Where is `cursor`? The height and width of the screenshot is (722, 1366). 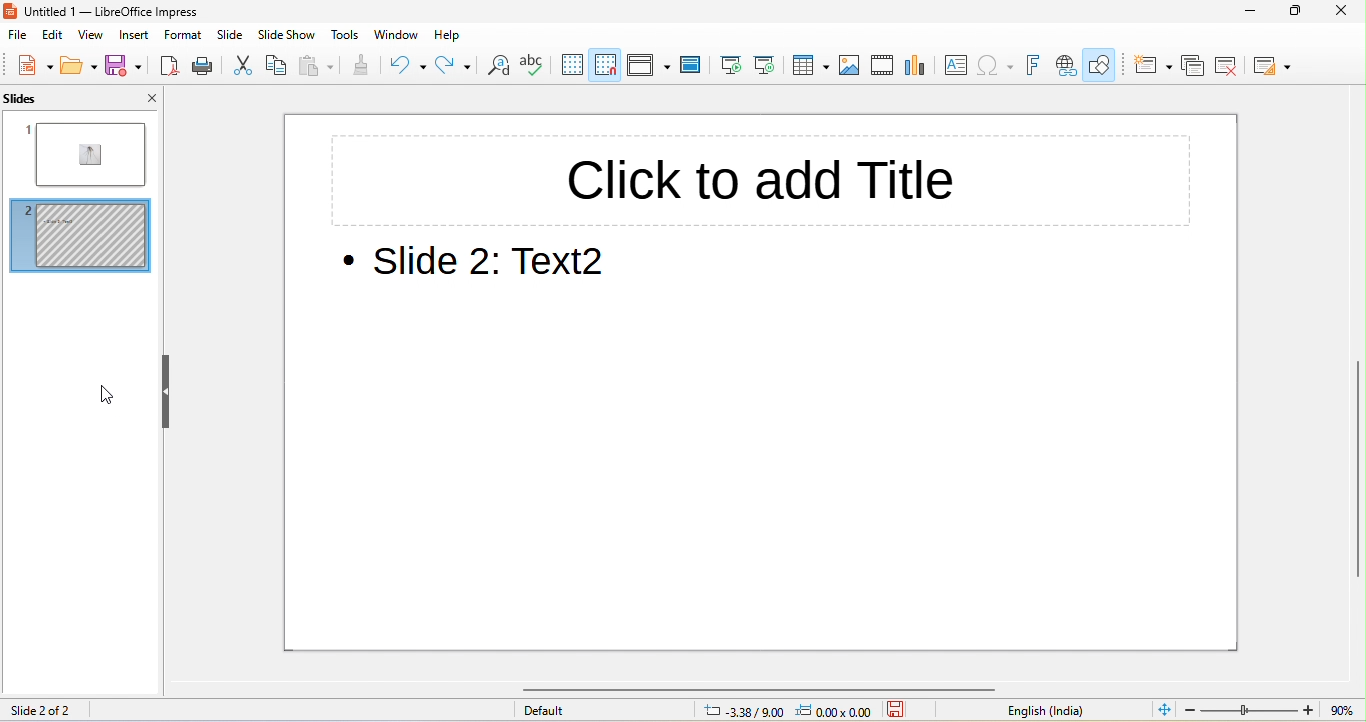 cursor is located at coordinates (108, 395).